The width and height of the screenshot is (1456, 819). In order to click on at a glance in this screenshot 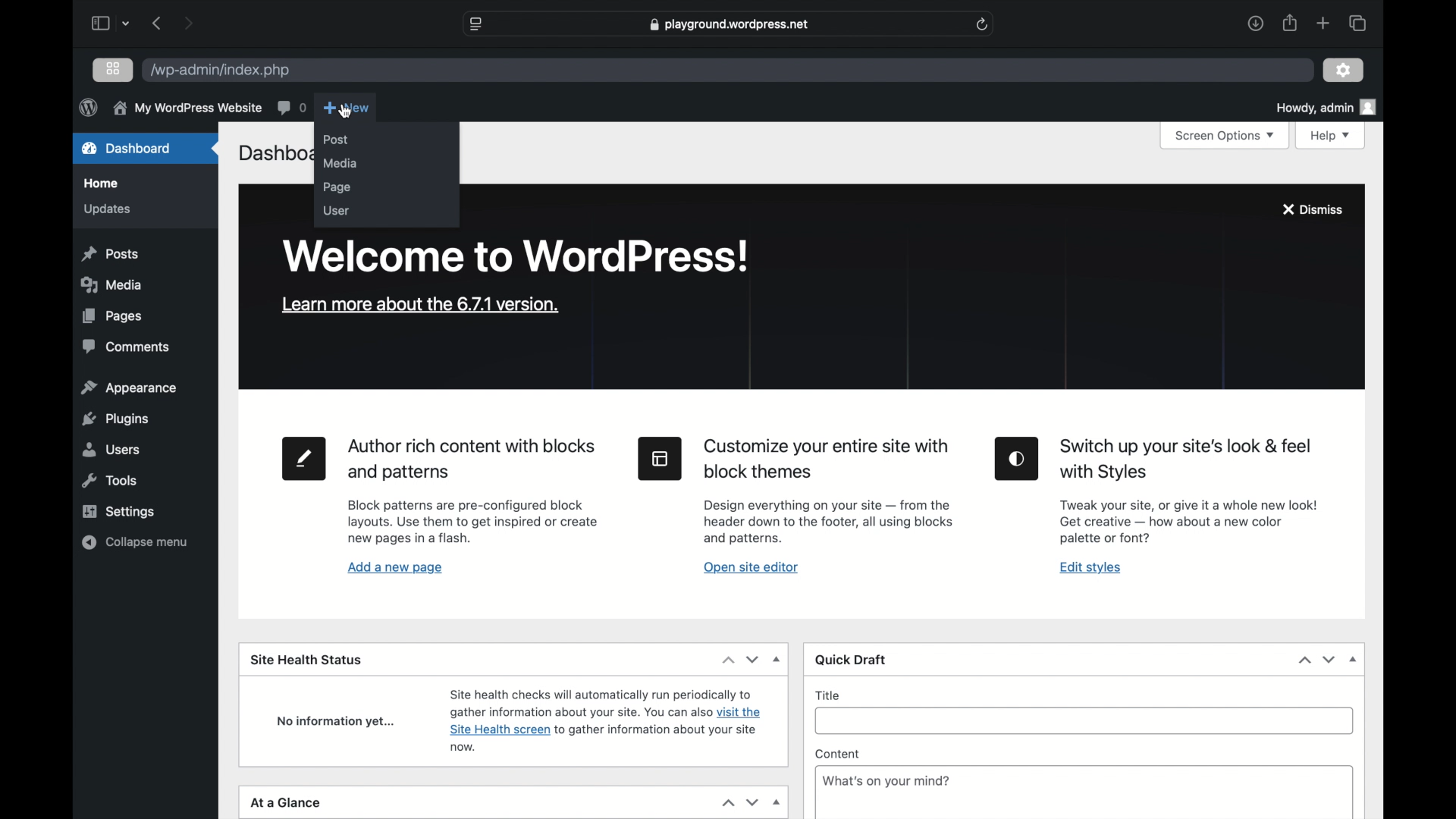, I will do `click(286, 803)`.